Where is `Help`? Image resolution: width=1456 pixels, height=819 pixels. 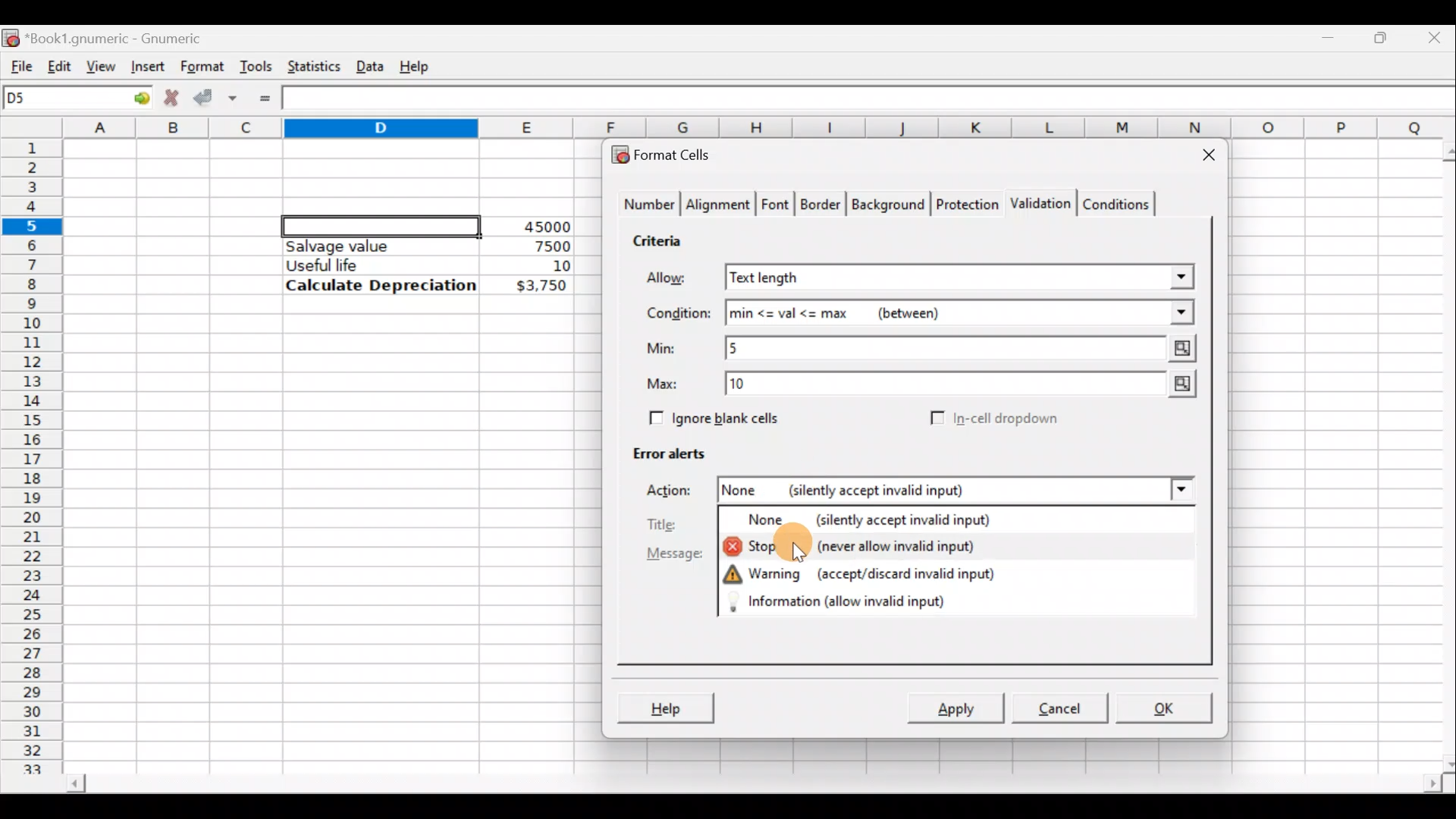 Help is located at coordinates (417, 65).